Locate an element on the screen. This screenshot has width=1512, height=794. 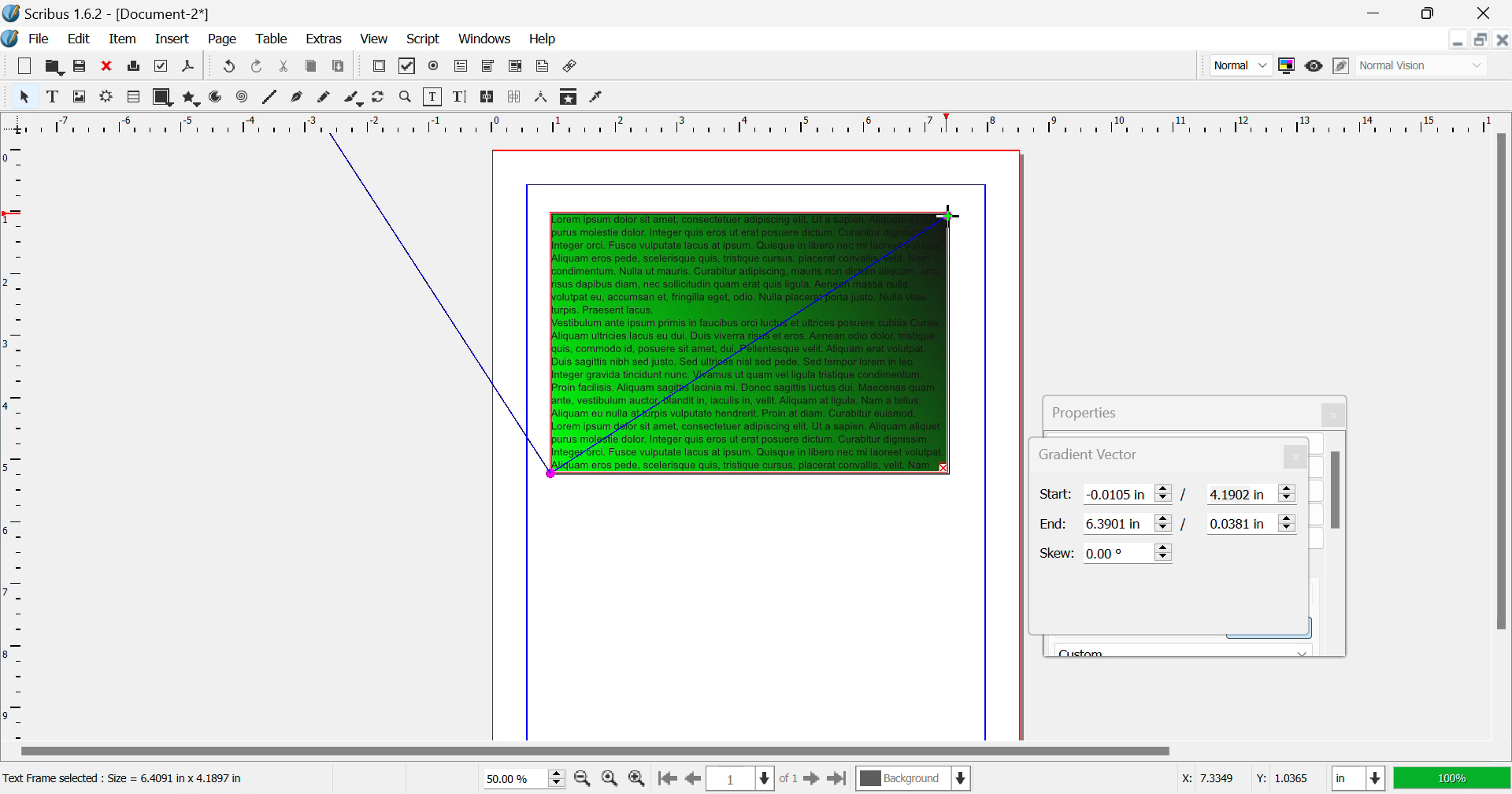
First Page is located at coordinates (665, 780).